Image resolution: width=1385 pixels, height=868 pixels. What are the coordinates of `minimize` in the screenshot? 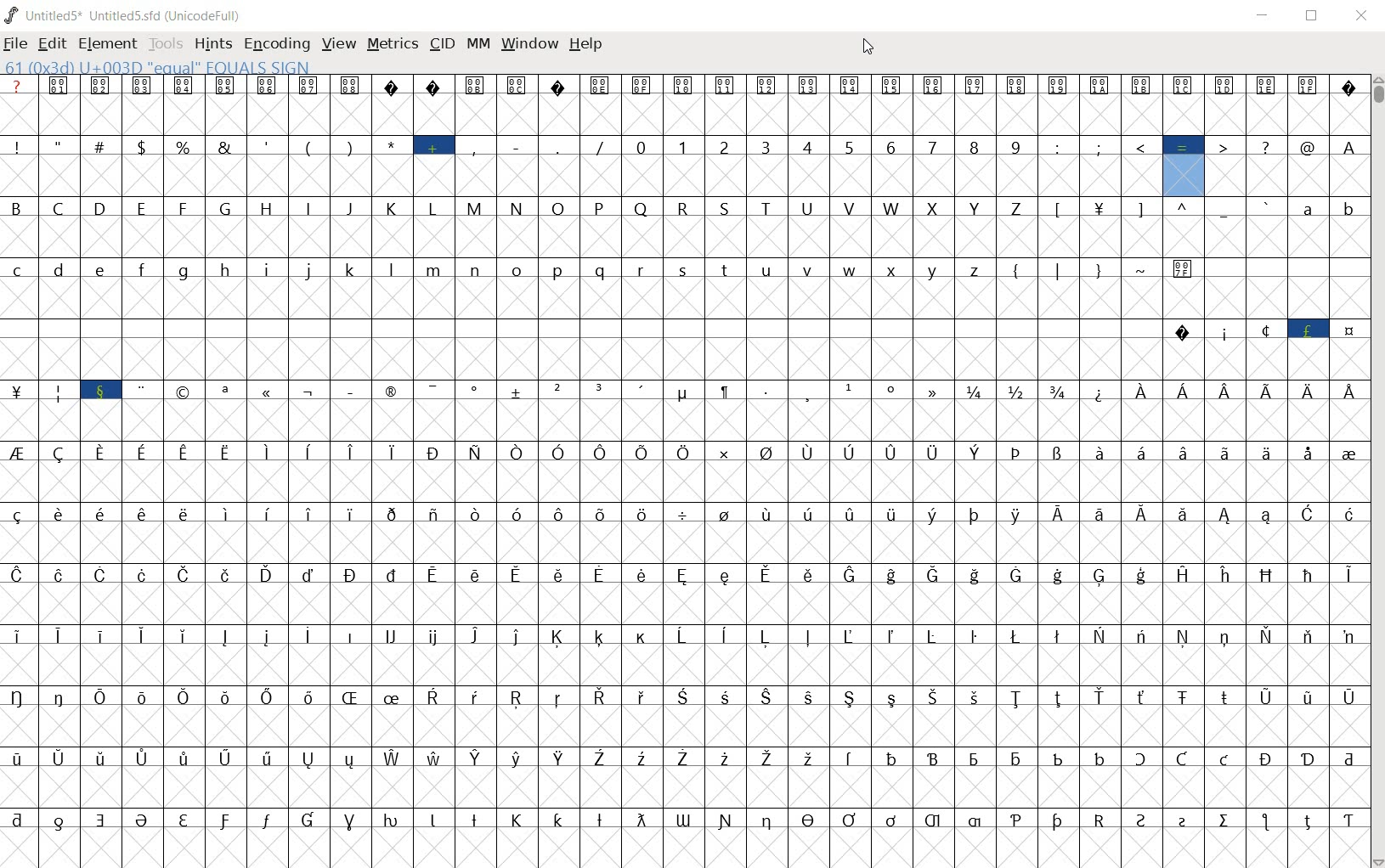 It's located at (1266, 16).